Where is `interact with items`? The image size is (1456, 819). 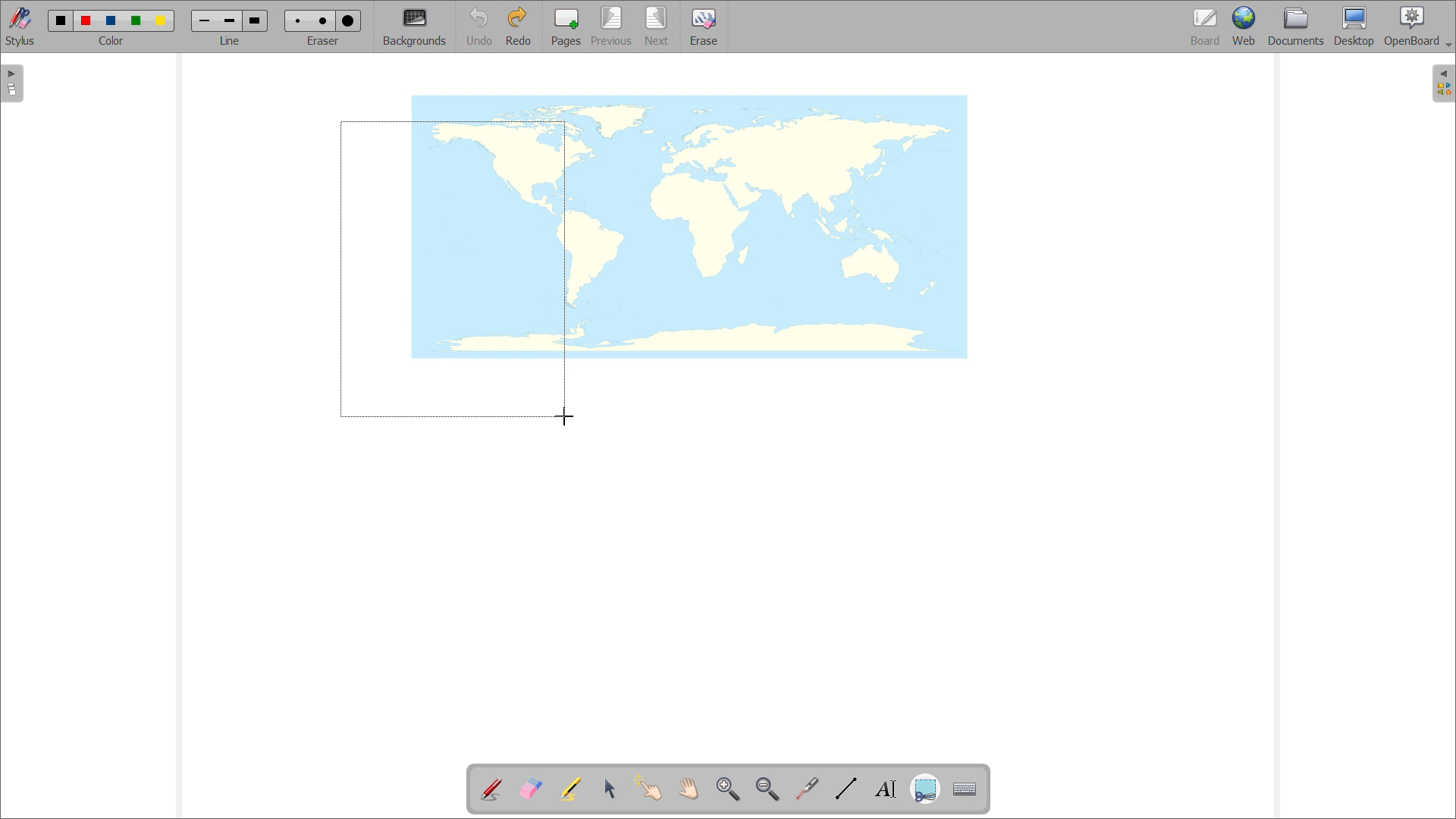 interact with items is located at coordinates (649, 787).